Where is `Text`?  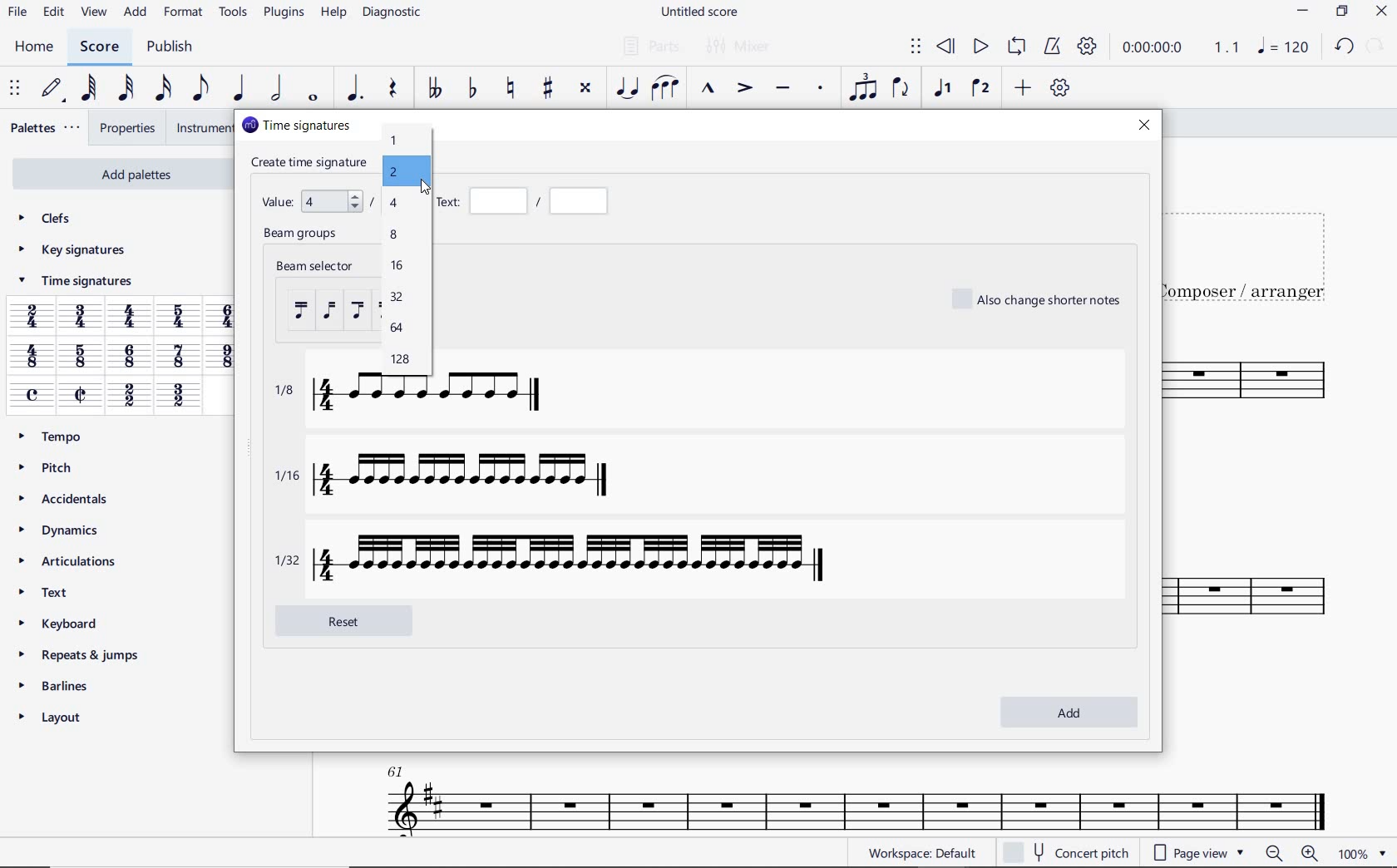 Text is located at coordinates (528, 201).